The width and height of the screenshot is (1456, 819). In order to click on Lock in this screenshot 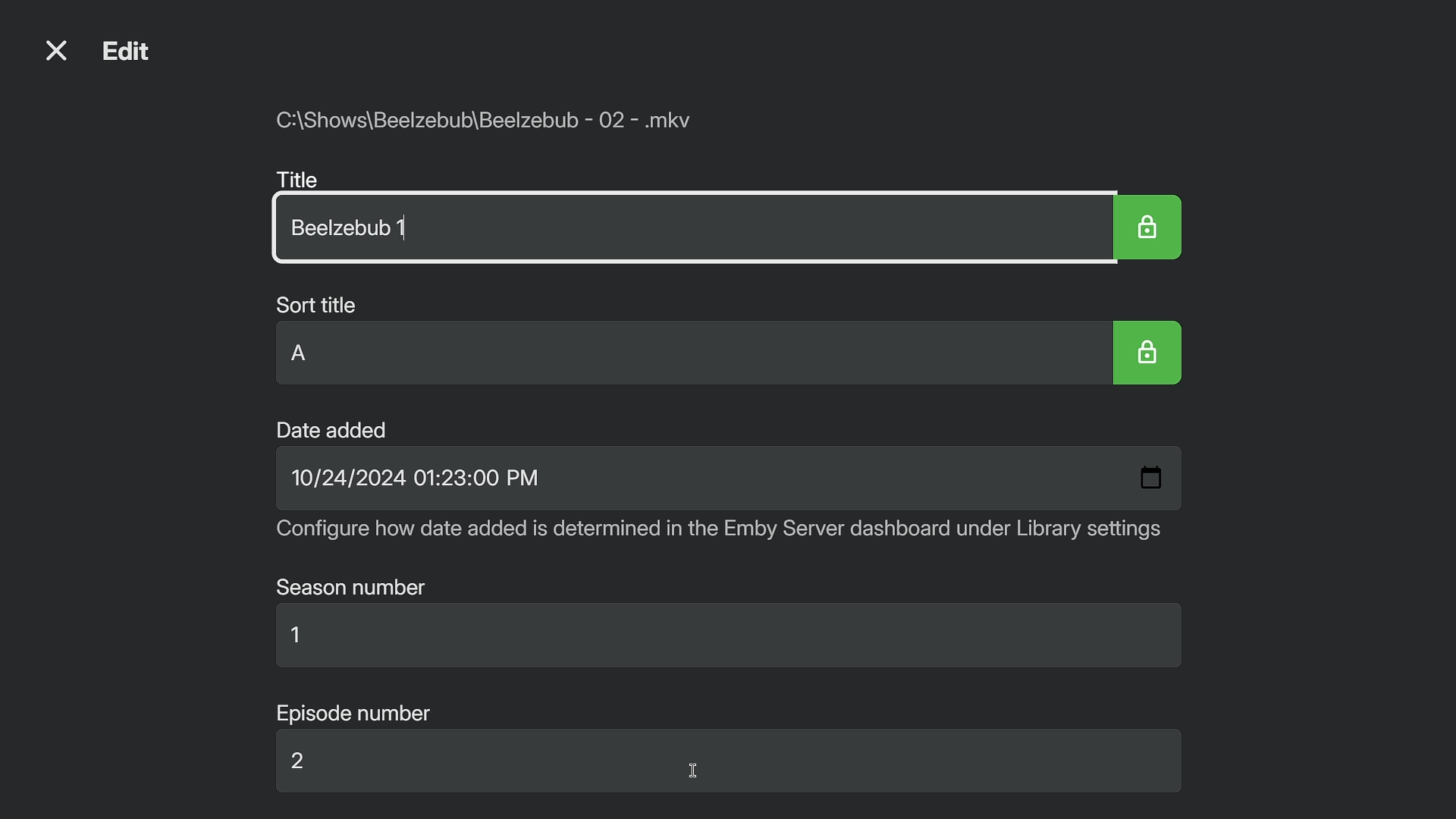, I will do `click(1150, 226)`.